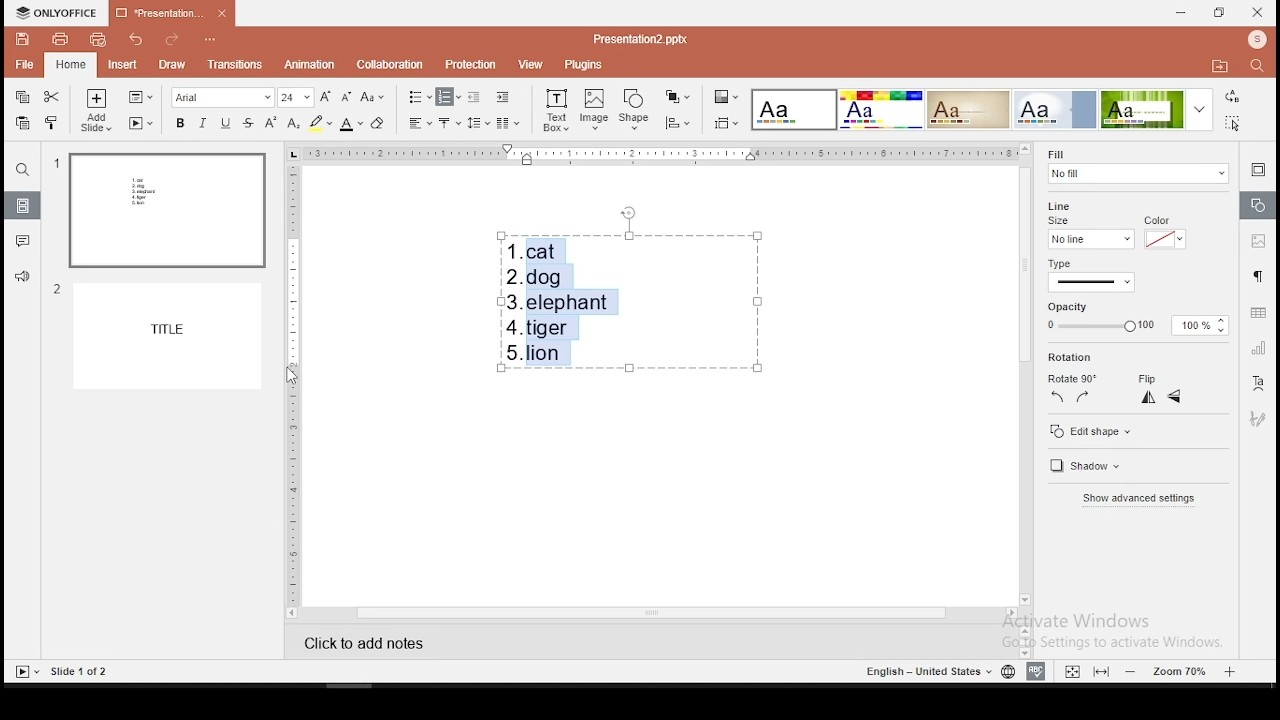 This screenshot has height=720, width=1280. What do you see at coordinates (470, 63) in the screenshot?
I see `protection` at bounding box center [470, 63].